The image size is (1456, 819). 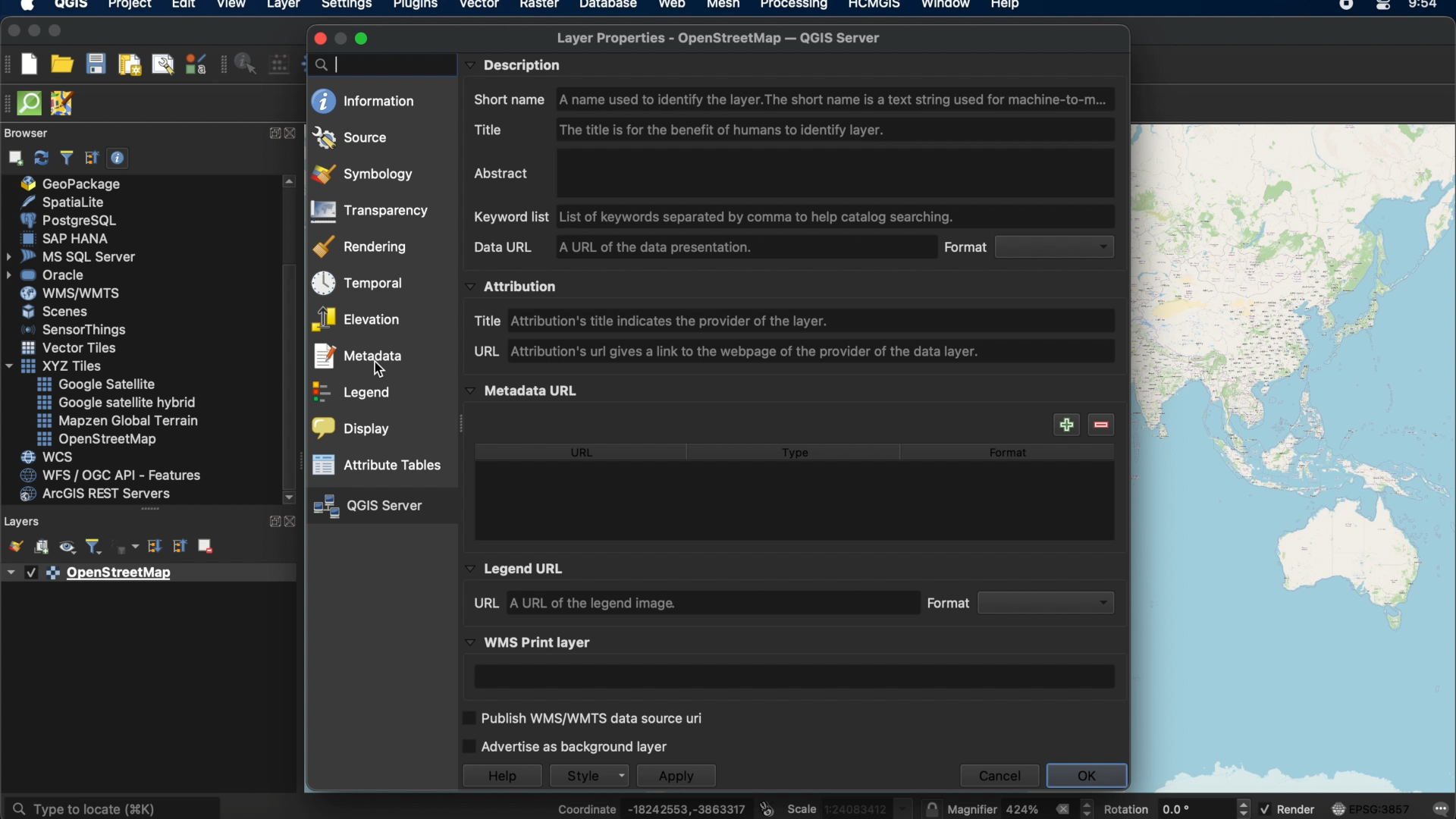 I want to click on OPEN FIELD CALCULATOR, so click(x=283, y=63).